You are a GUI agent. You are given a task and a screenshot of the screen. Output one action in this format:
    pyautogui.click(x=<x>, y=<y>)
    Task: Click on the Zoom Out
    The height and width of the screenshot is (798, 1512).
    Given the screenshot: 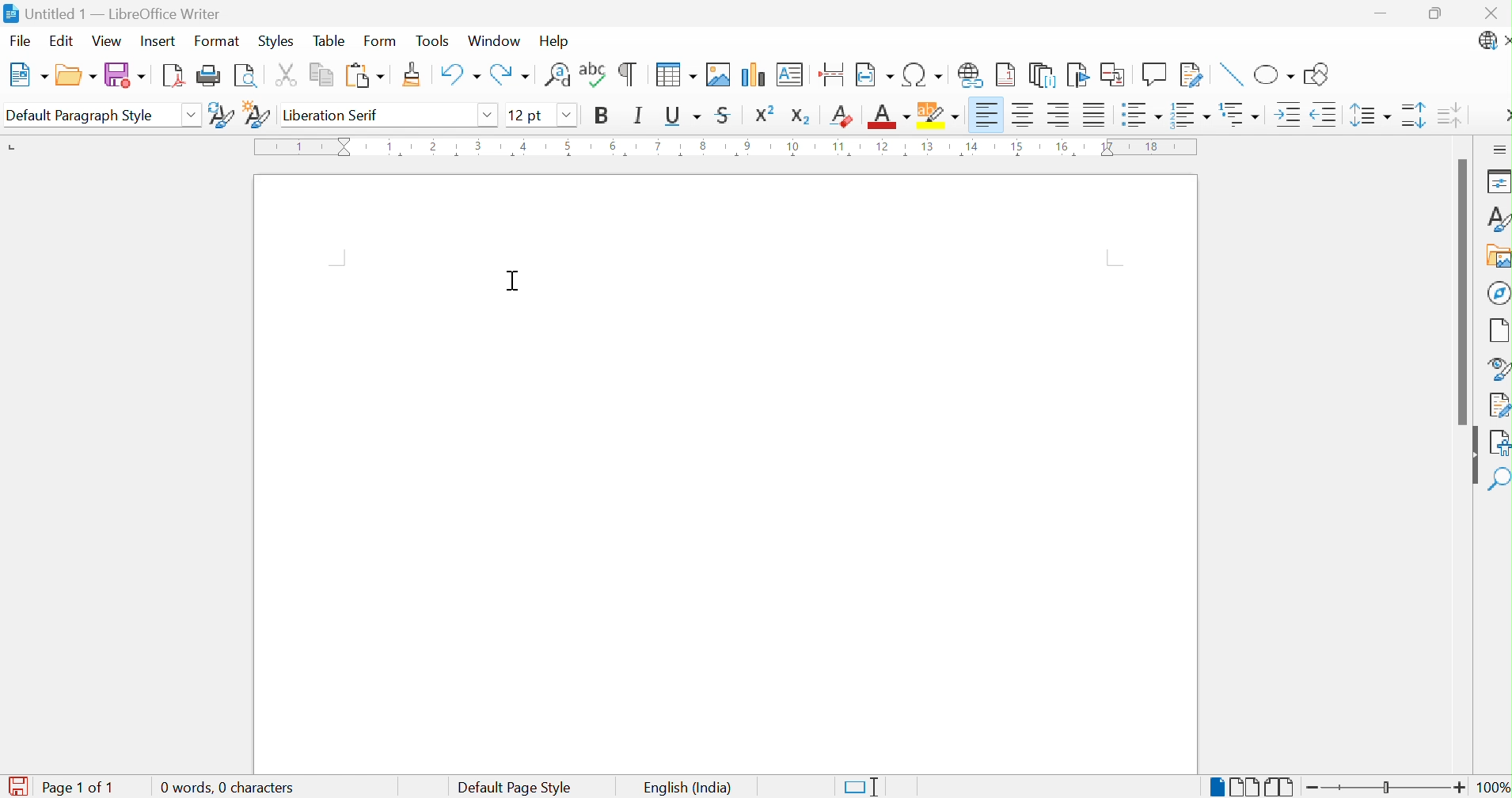 What is the action you would take?
    pyautogui.click(x=1313, y=788)
    